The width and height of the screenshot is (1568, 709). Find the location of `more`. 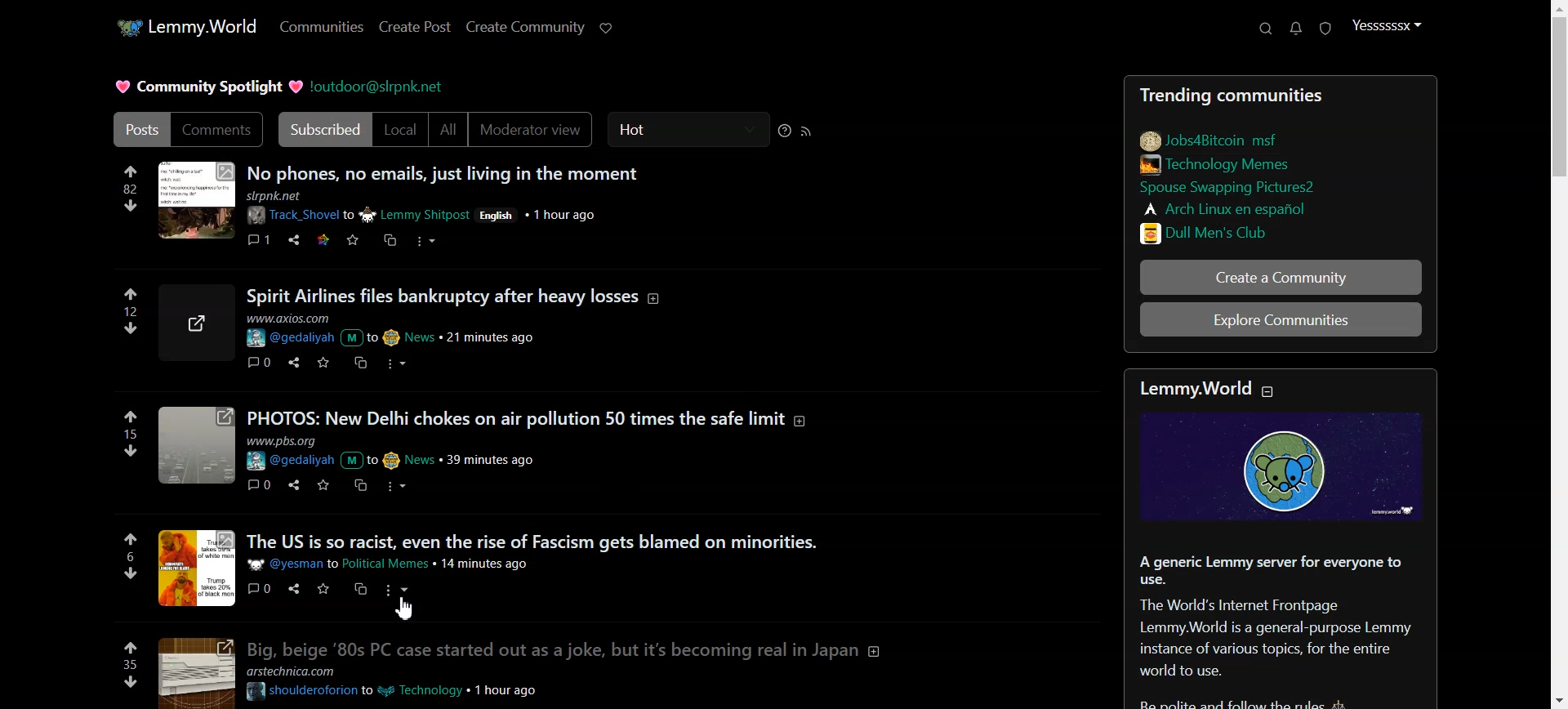

more is located at coordinates (401, 486).